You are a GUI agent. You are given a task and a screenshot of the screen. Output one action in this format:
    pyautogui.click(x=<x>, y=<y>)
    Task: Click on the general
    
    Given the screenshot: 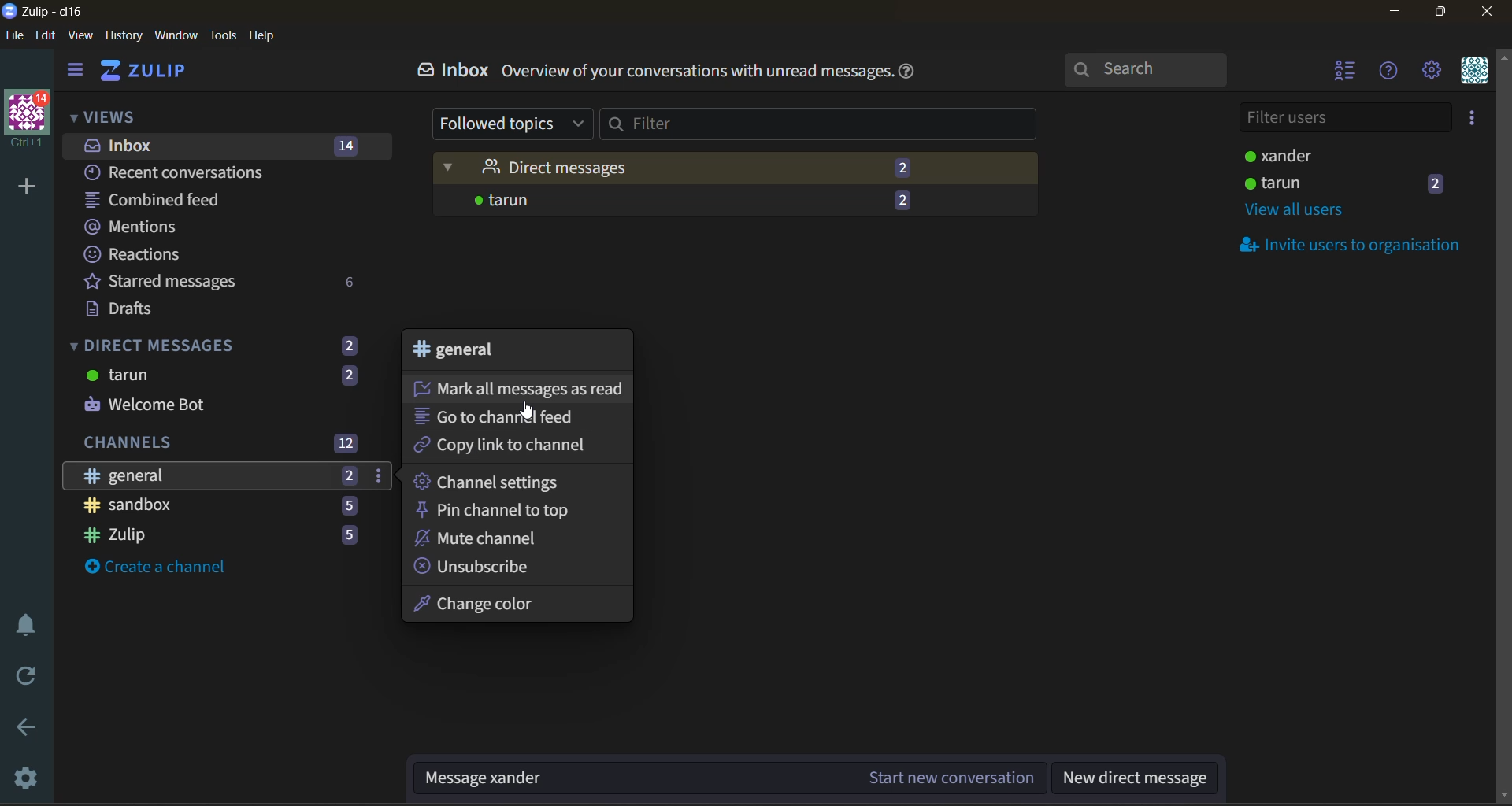 What is the action you would take?
    pyautogui.click(x=470, y=353)
    